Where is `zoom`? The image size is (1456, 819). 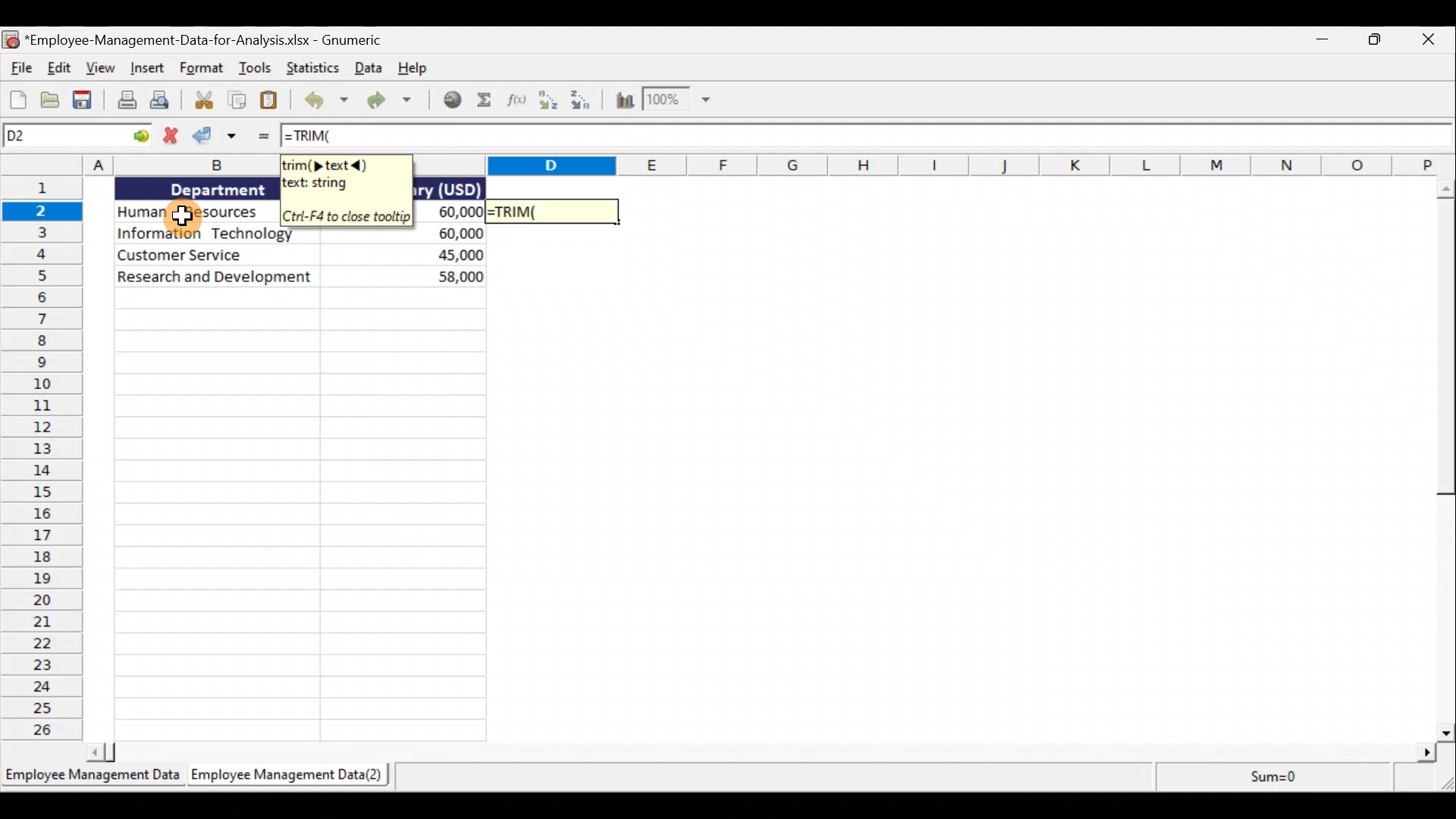 zoom is located at coordinates (687, 101).